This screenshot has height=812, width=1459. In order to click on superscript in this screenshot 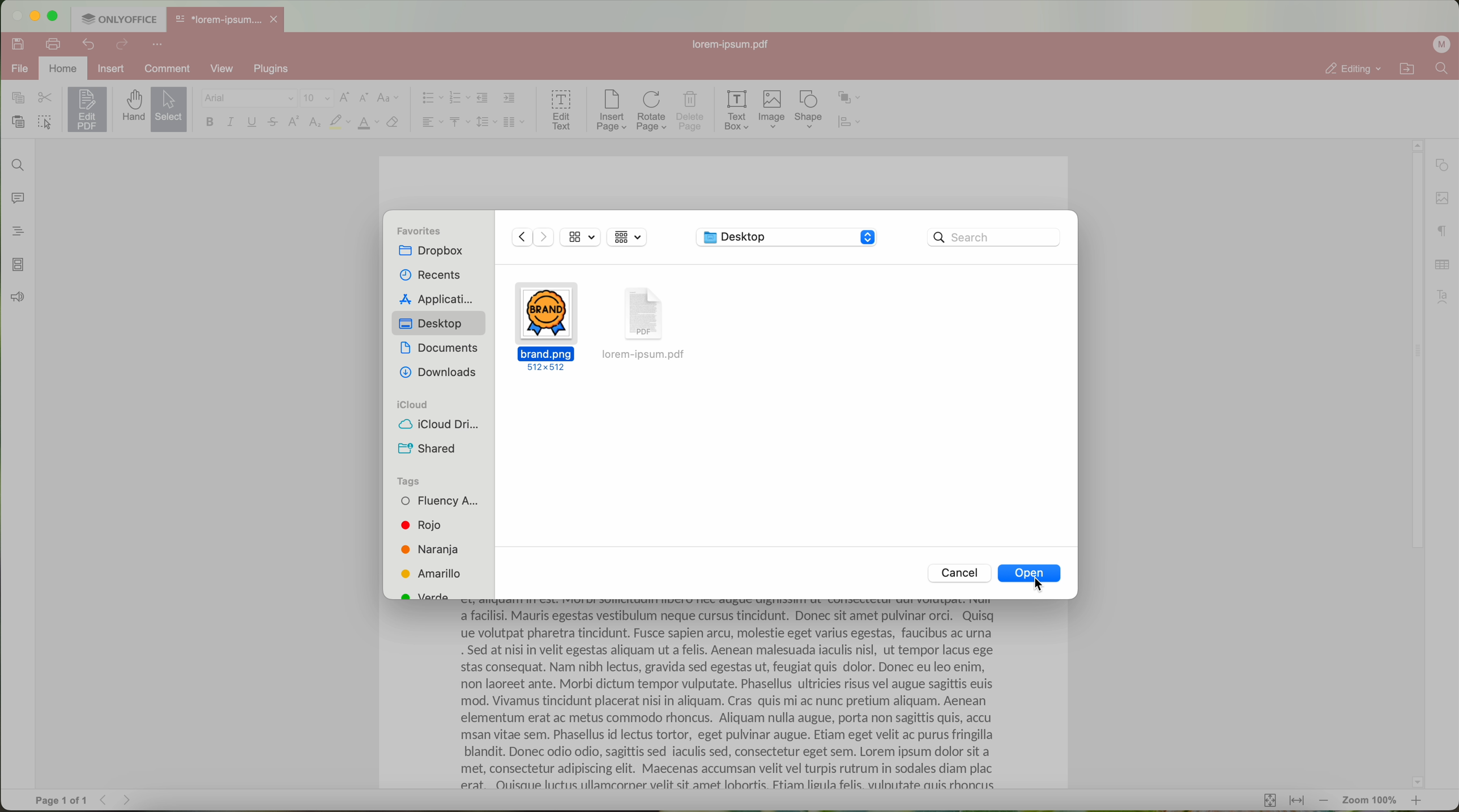, I will do `click(295, 121)`.